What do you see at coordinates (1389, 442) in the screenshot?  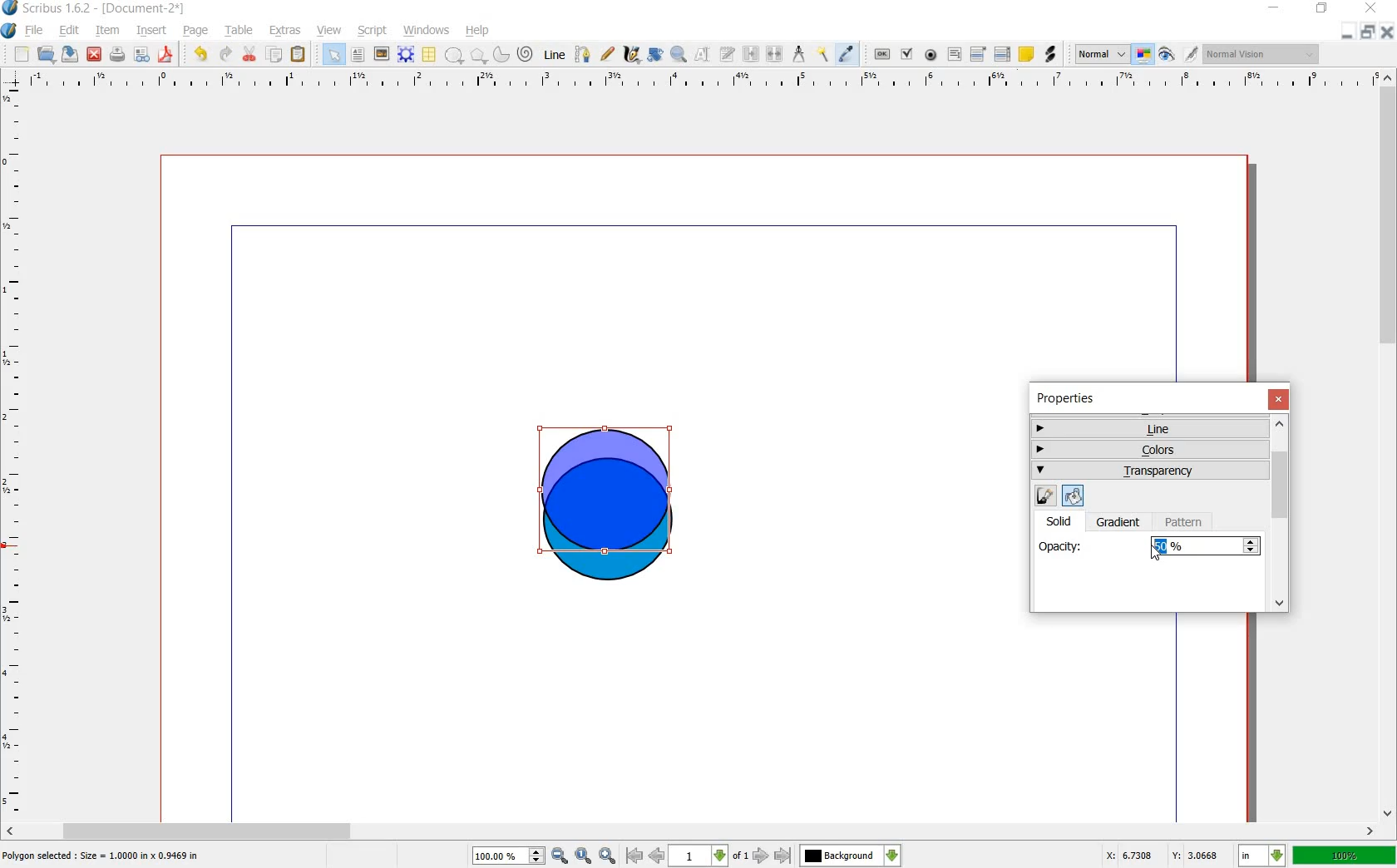 I see `scroll bar` at bounding box center [1389, 442].